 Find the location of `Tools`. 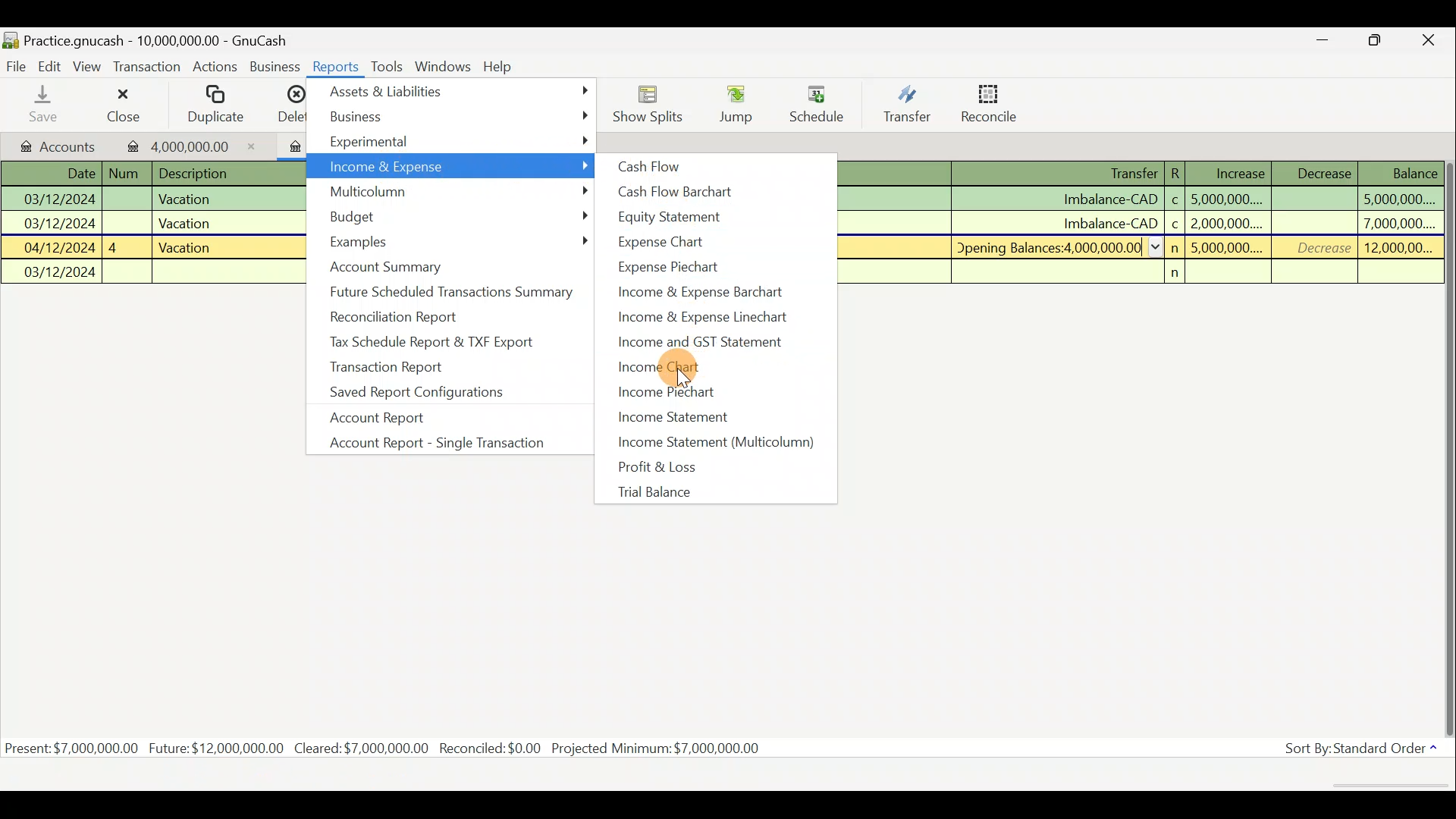

Tools is located at coordinates (390, 66).